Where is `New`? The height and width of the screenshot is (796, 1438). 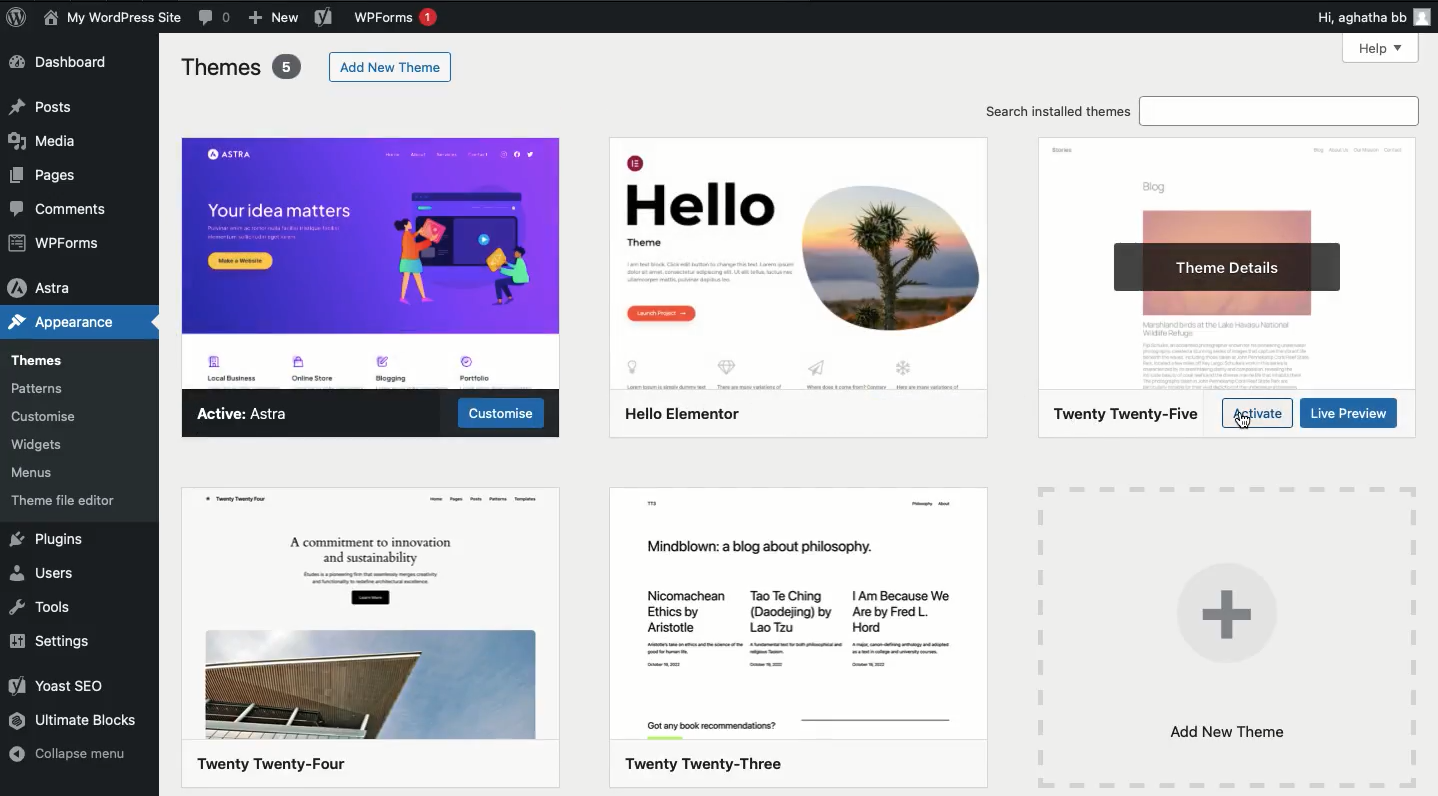 New is located at coordinates (271, 18).